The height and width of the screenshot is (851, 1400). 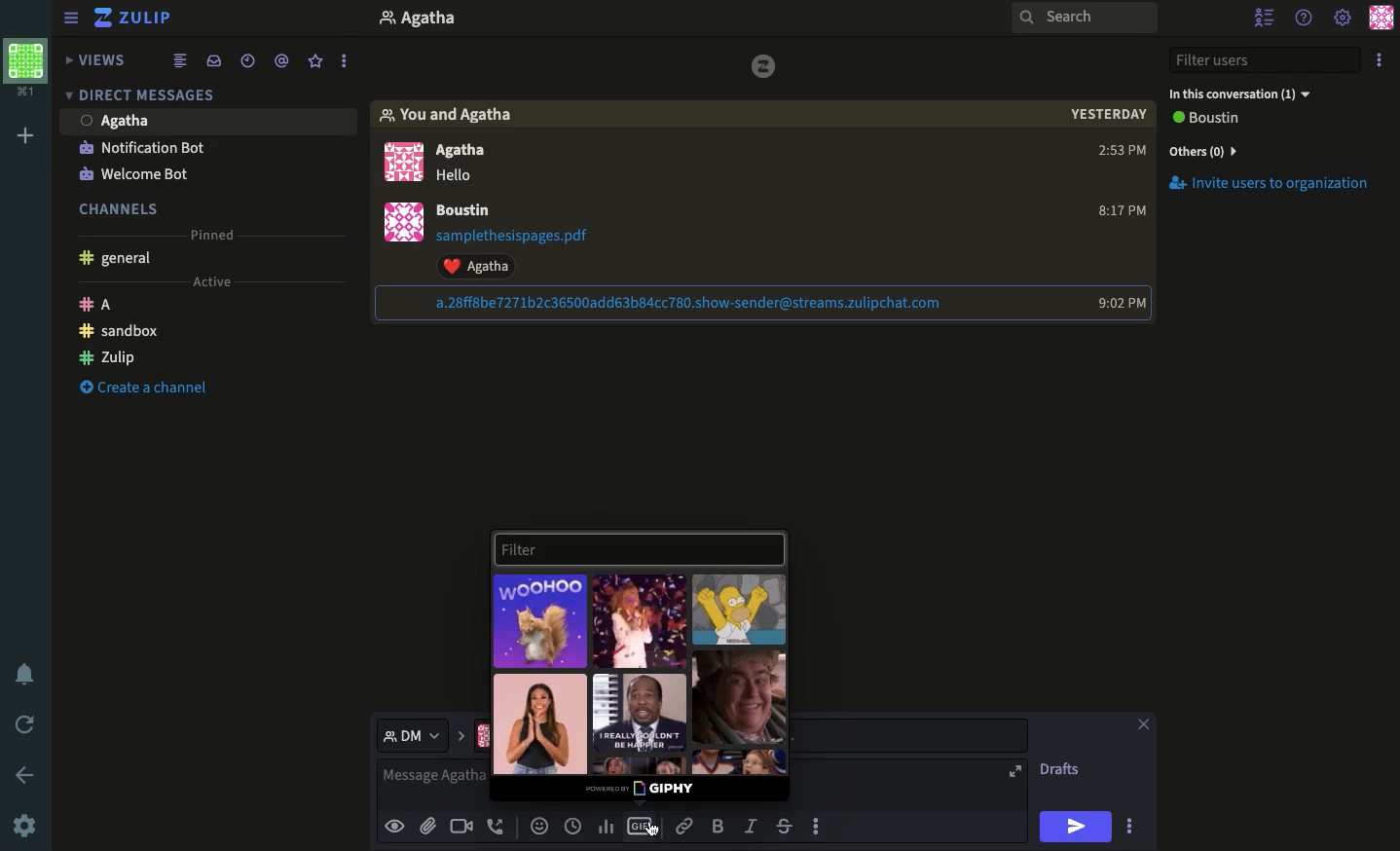 I want to click on More Options, so click(x=350, y=60).